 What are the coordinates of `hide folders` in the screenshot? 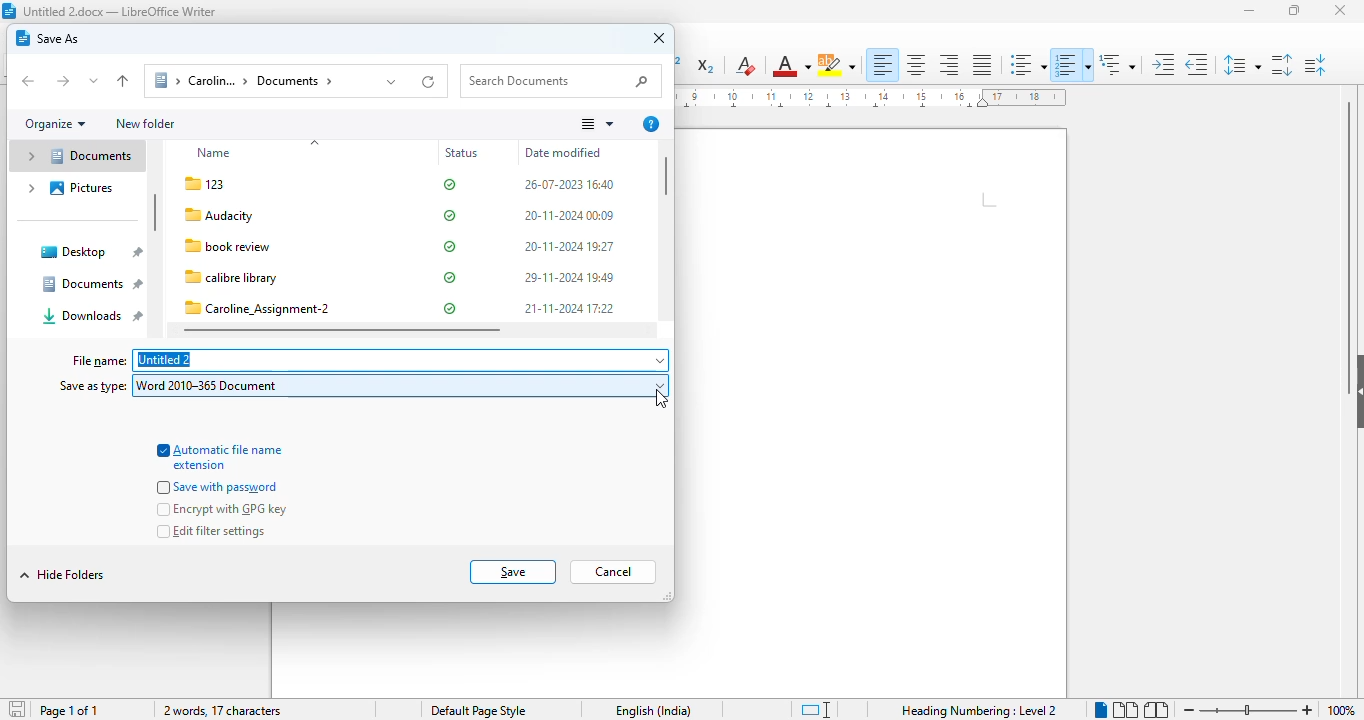 It's located at (62, 574).